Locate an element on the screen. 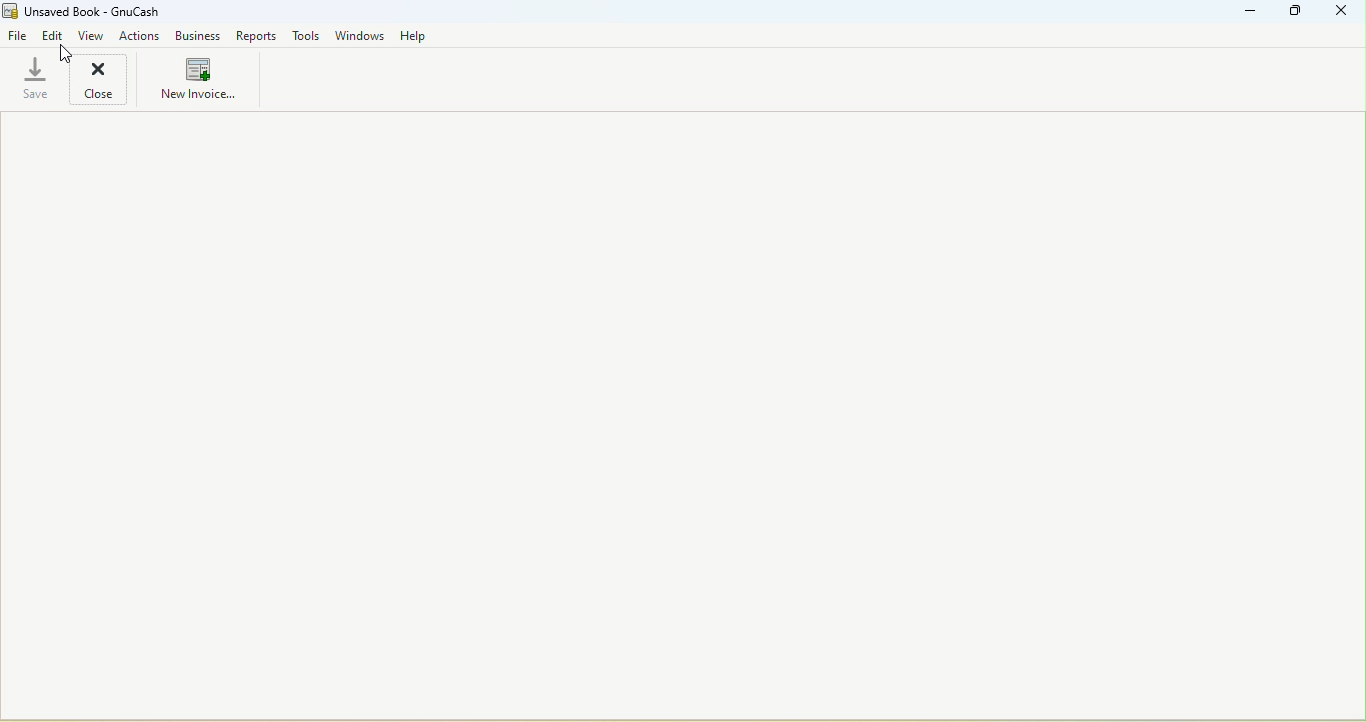 Image resolution: width=1366 pixels, height=722 pixels. Help is located at coordinates (417, 36).